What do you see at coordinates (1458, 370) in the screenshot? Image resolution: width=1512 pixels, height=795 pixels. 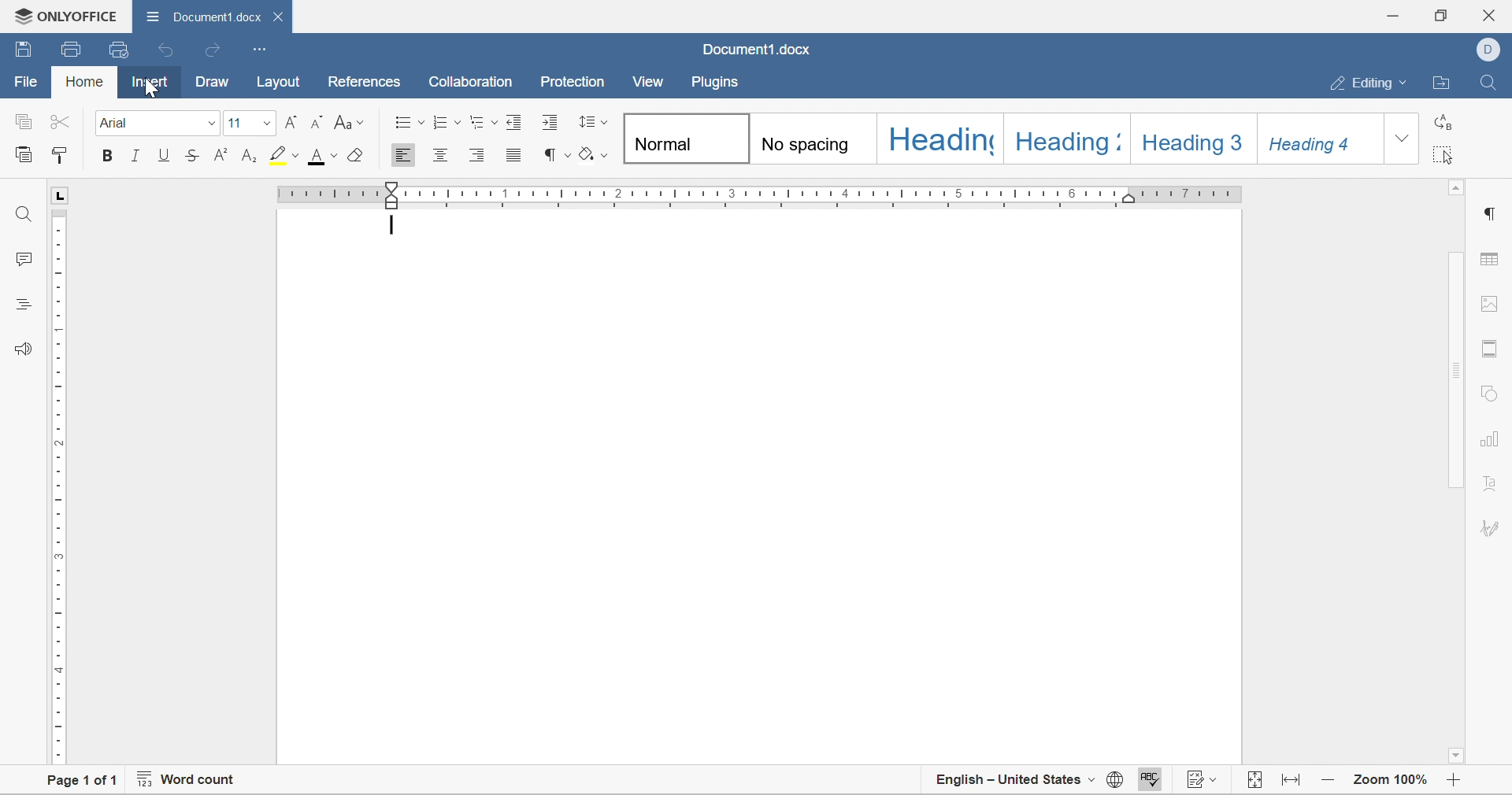 I see `Scroll bar` at bounding box center [1458, 370].